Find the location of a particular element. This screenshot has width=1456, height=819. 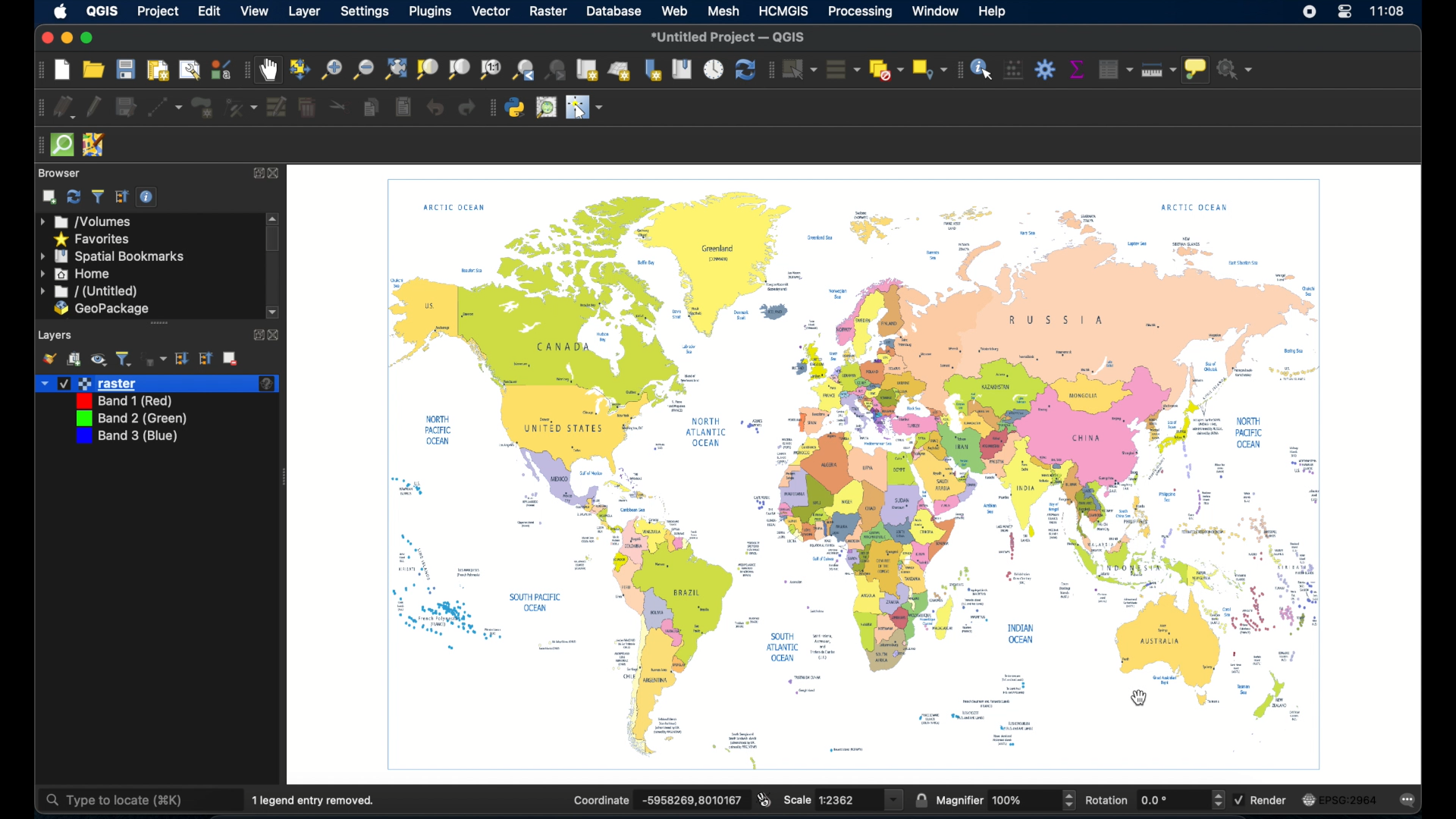

quicksom is located at coordinates (62, 145).